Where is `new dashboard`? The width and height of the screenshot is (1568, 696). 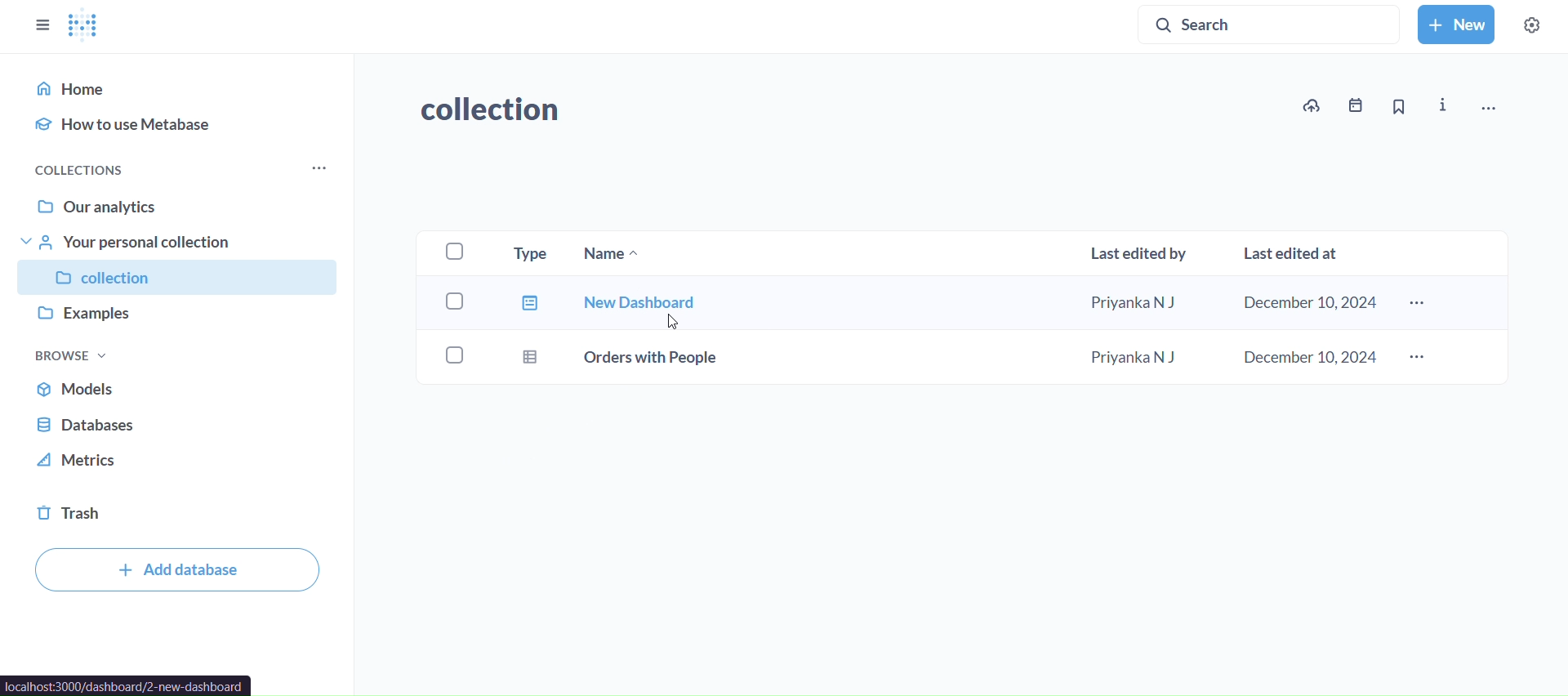
new dashboard is located at coordinates (633, 306).